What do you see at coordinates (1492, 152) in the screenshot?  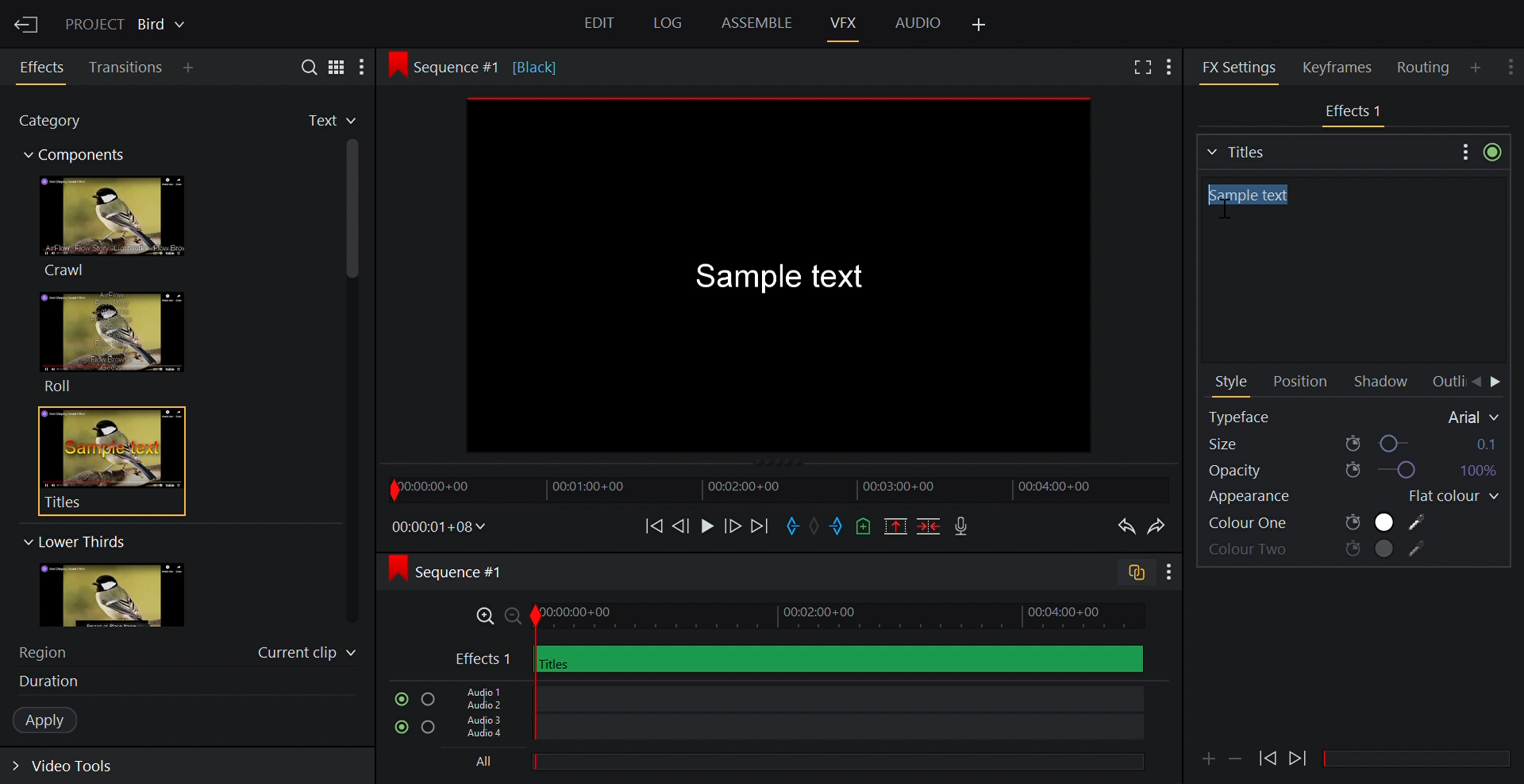 I see `Toggle bypass` at bounding box center [1492, 152].